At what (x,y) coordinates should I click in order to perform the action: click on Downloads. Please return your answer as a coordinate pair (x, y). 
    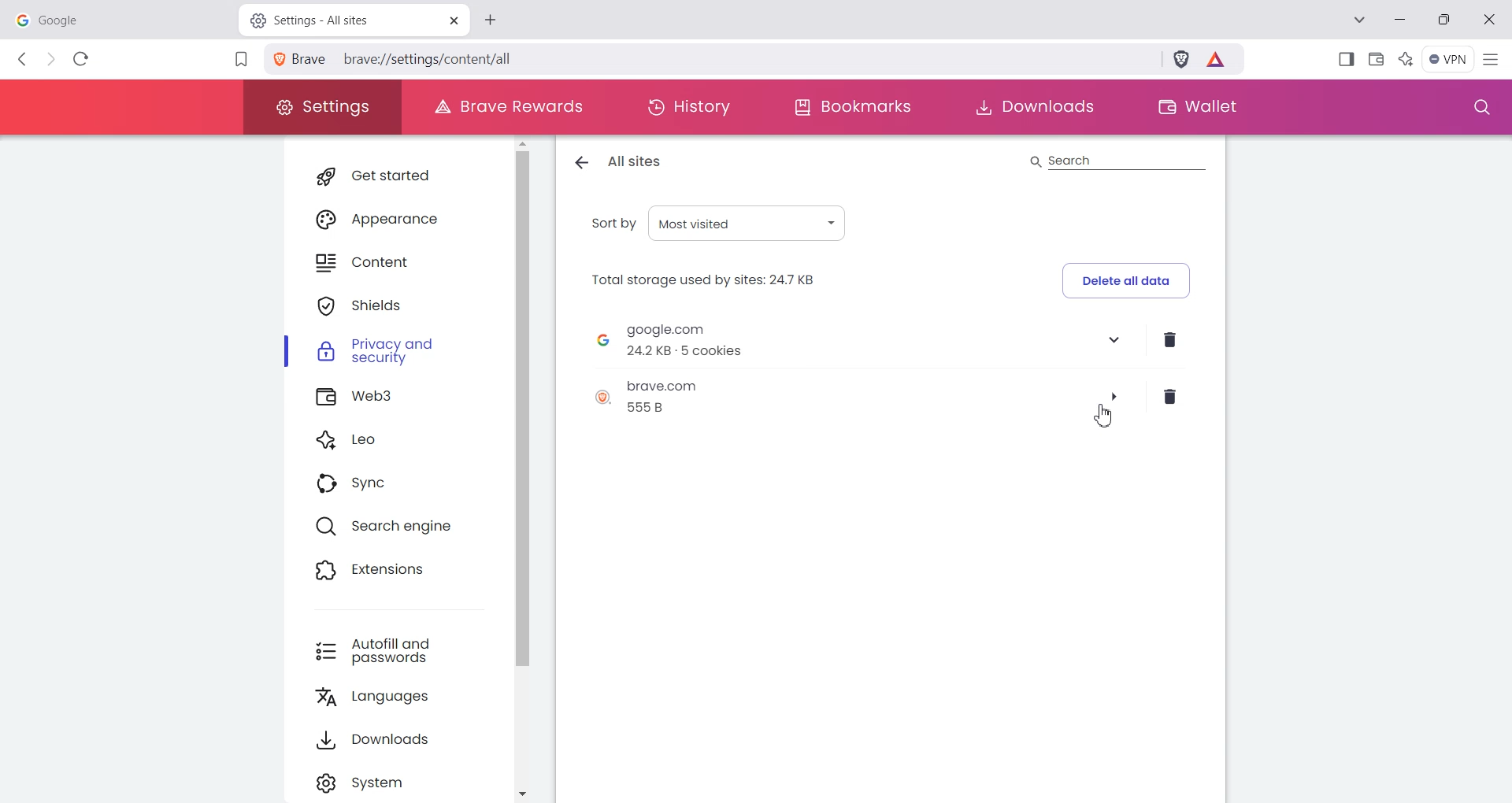
    Looking at the image, I should click on (396, 743).